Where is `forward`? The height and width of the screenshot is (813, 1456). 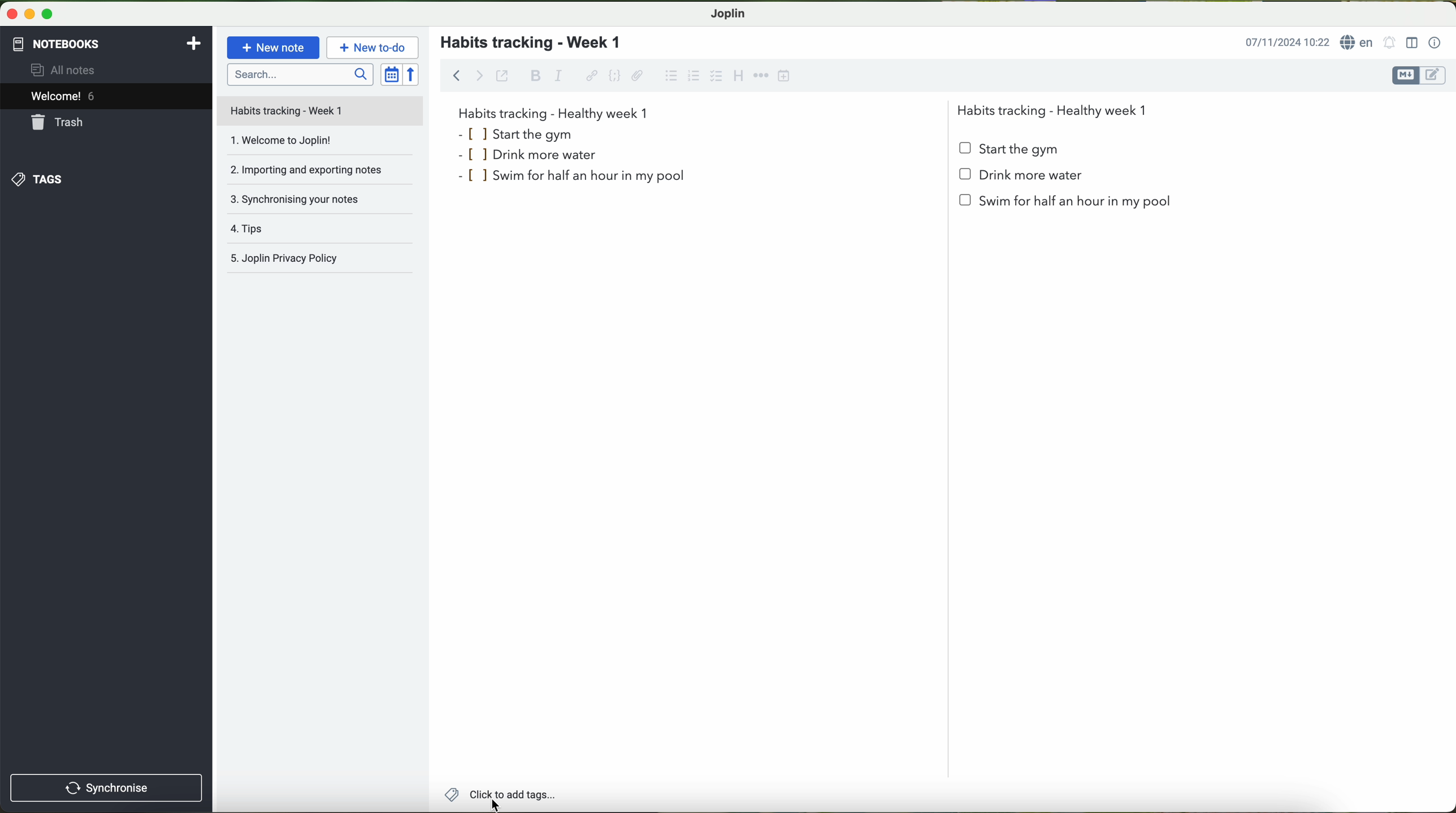
forward is located at coordinates (479, 75).